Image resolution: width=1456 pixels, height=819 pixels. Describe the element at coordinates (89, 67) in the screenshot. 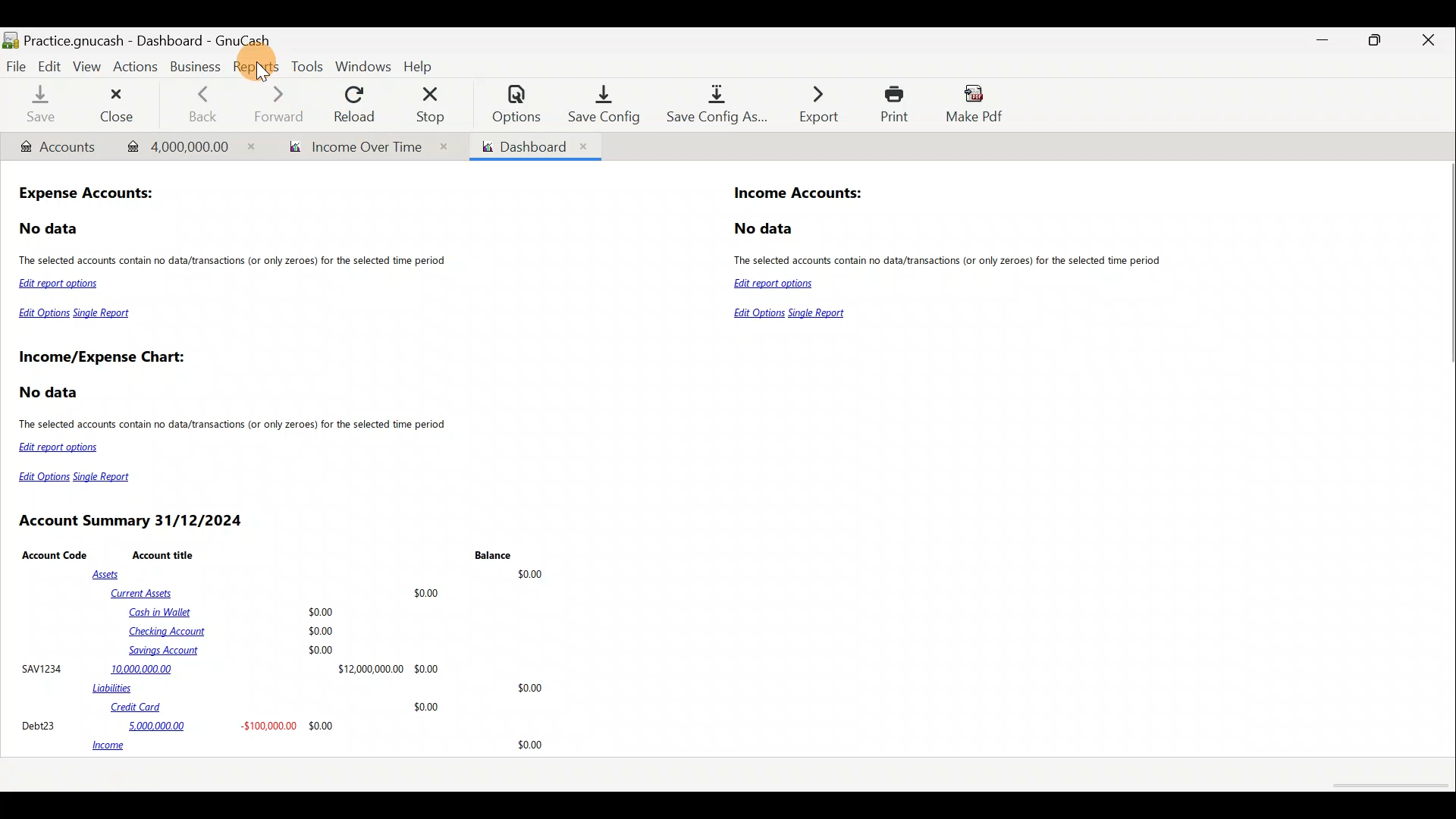

I see `View` at that location.